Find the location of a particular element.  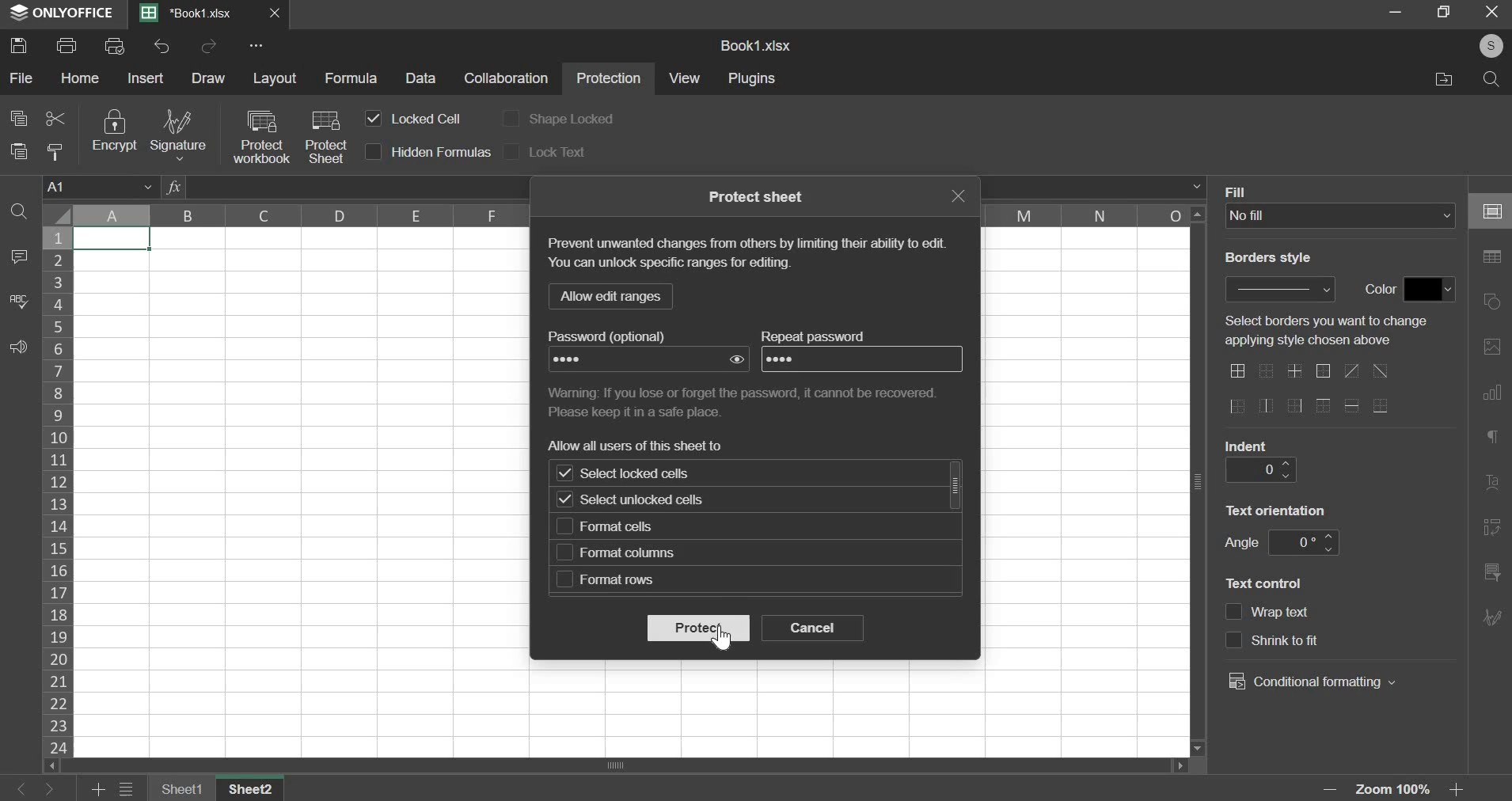

format cells is located at coordinates (623, 527).